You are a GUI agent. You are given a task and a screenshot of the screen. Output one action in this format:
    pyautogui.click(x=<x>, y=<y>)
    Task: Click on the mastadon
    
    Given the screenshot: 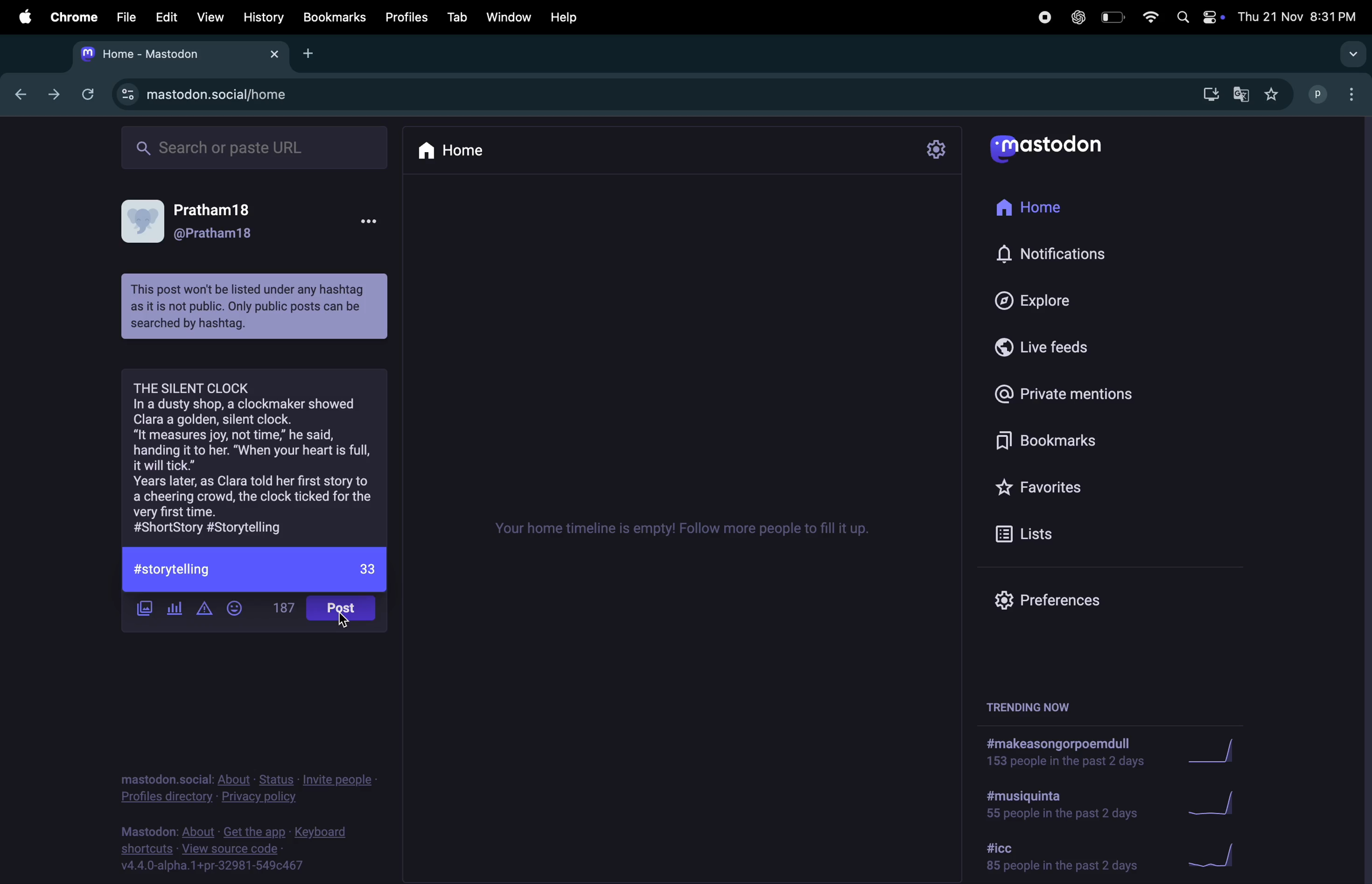 What is the action you would take?
    pyautogui.click(x=1045, y=148)
    